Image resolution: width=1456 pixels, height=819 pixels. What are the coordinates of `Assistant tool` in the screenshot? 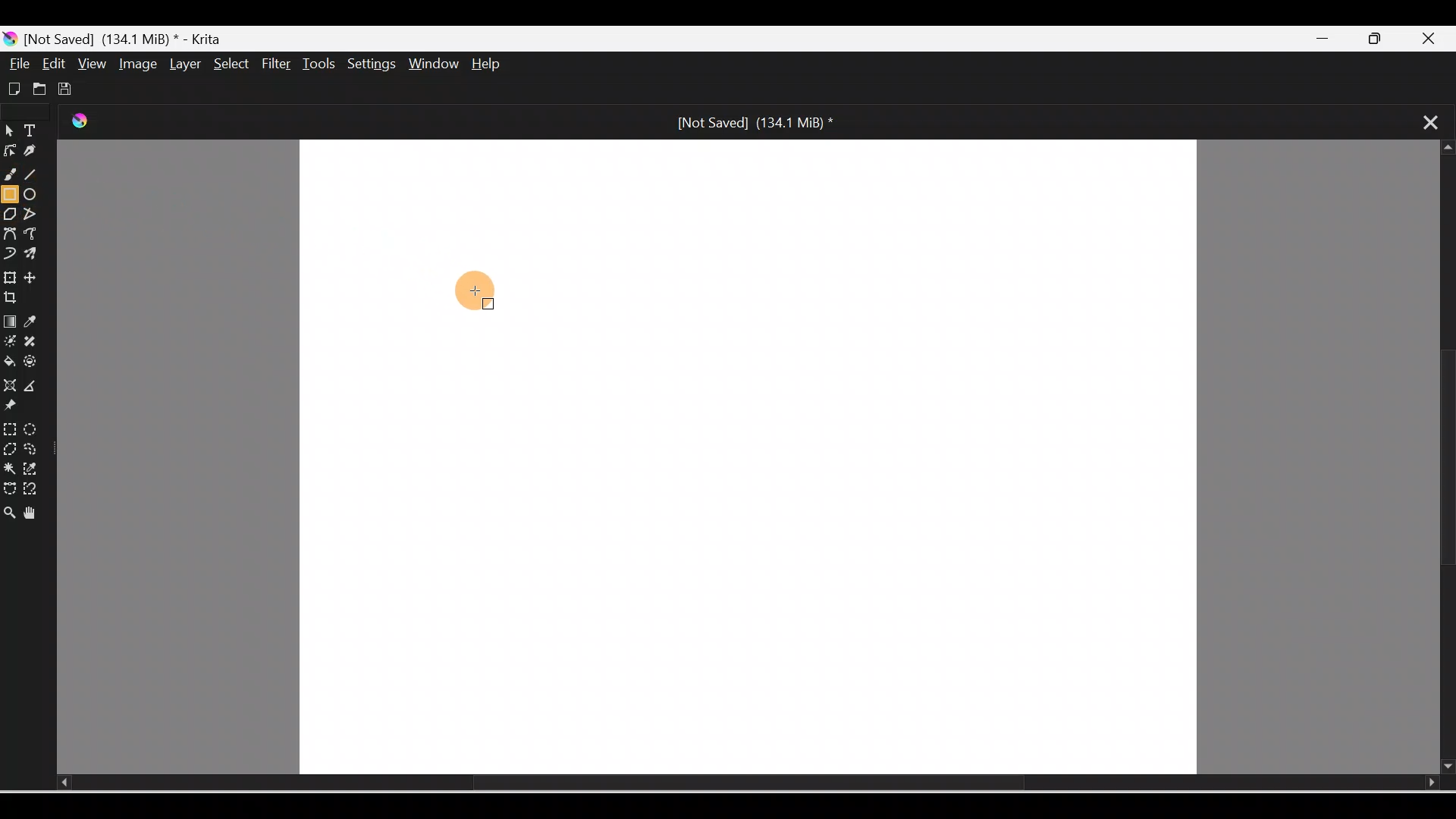 It's located at (9, 385).